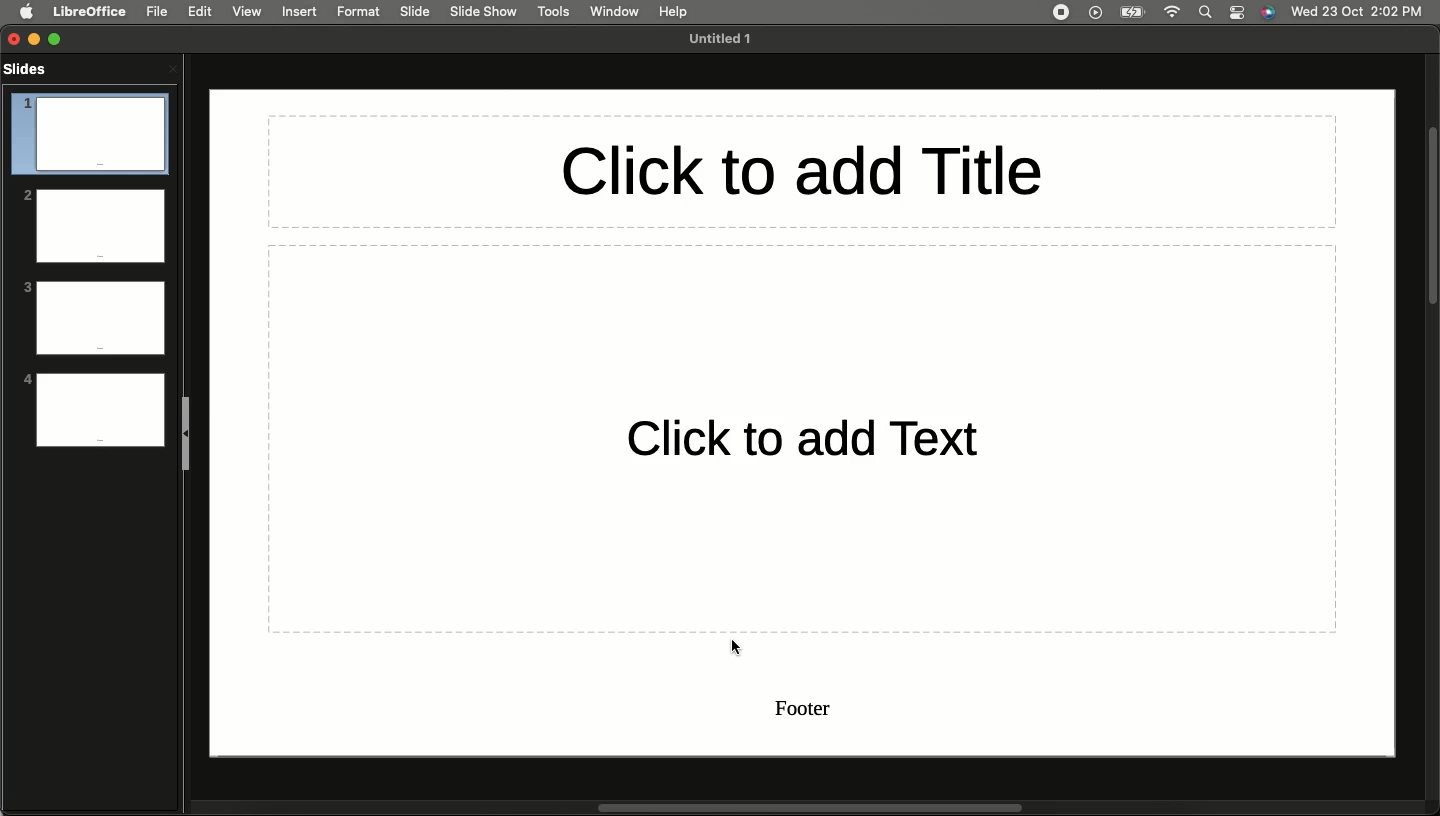 The width and height of the screenshot is (1440, 816). What do you see at coordinates (157, 11) in the screenshot?
I see `File` at bounding box center [157, 11].